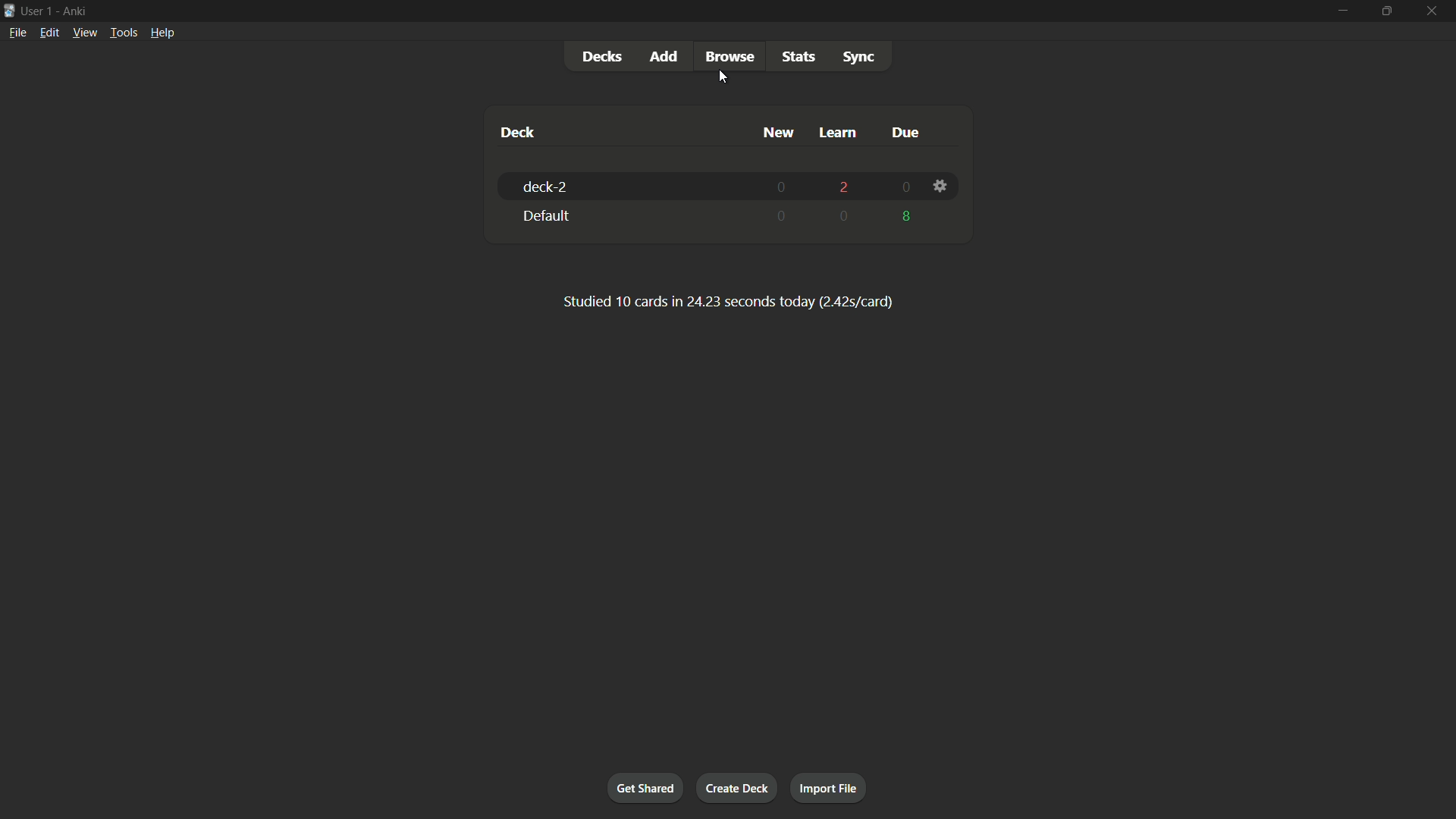  Describe the element at coordinates (830, 789) in the screenshot. I see `Import file` at that location.